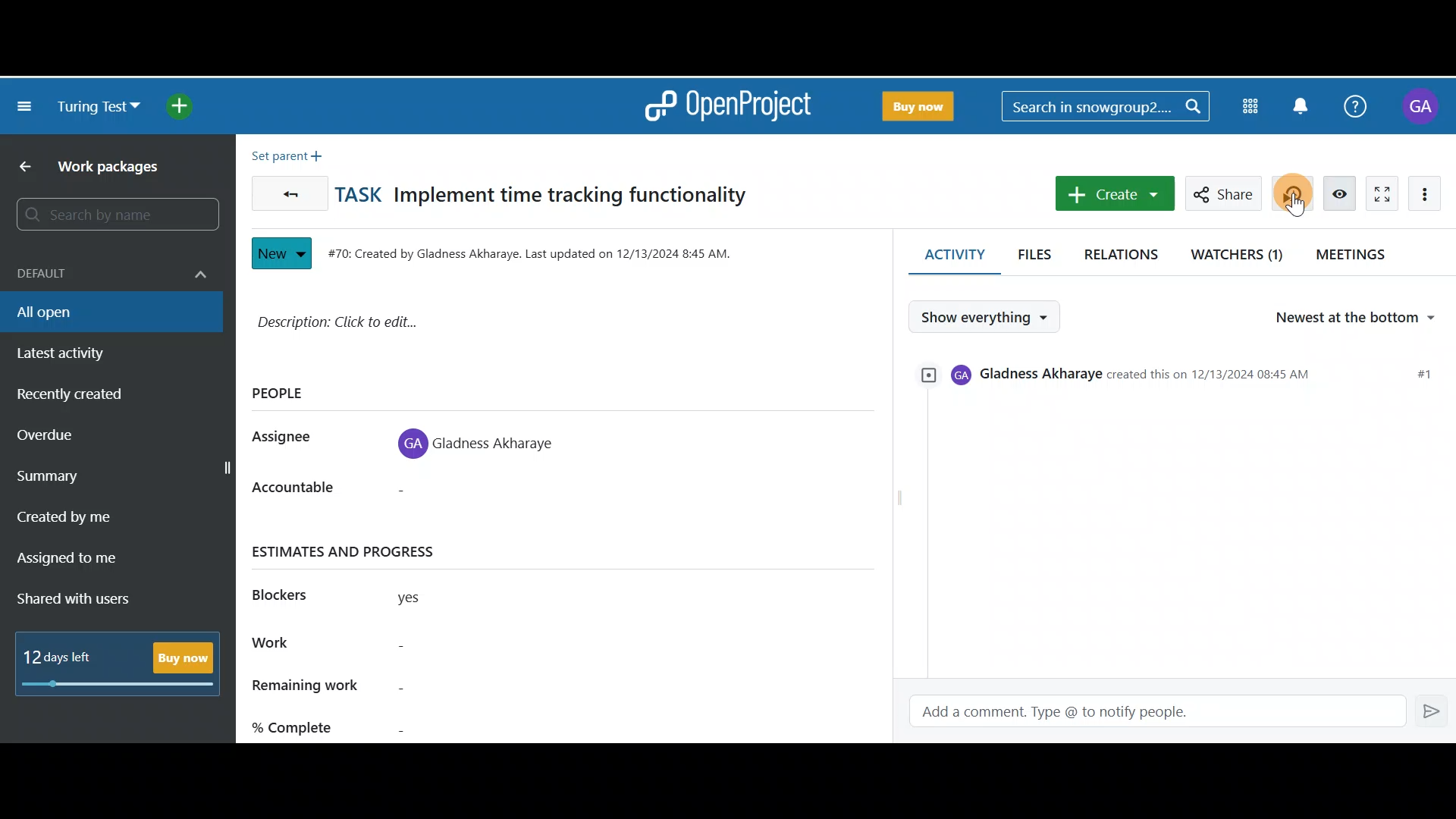  Describe the element at coordinates (19, 168) in the screenshot. I see `Back` at that location.